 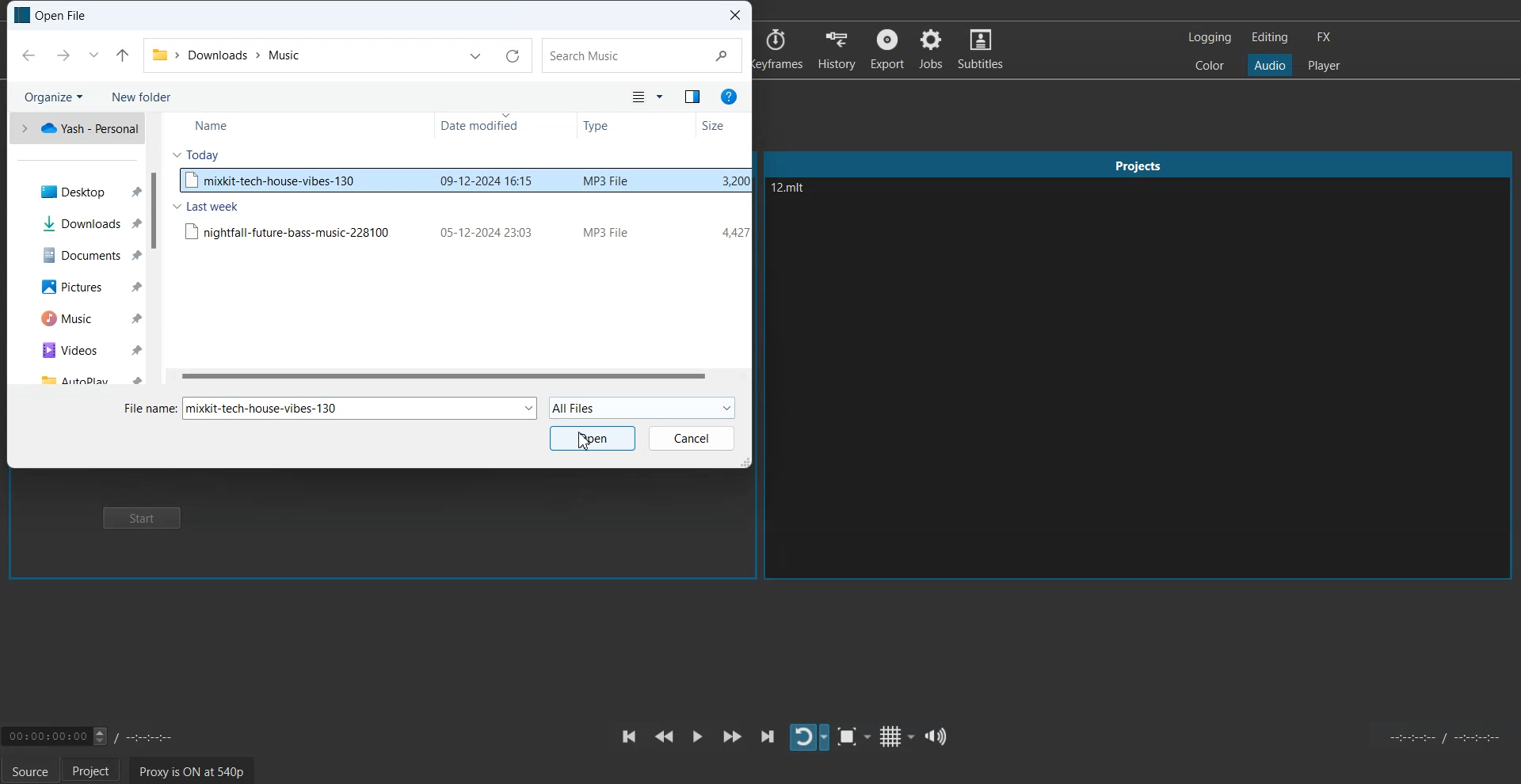 What do you see at coordinates (147, 409) in the screenshot?
I see `Enter File Name` at bounding box center [147, 409].